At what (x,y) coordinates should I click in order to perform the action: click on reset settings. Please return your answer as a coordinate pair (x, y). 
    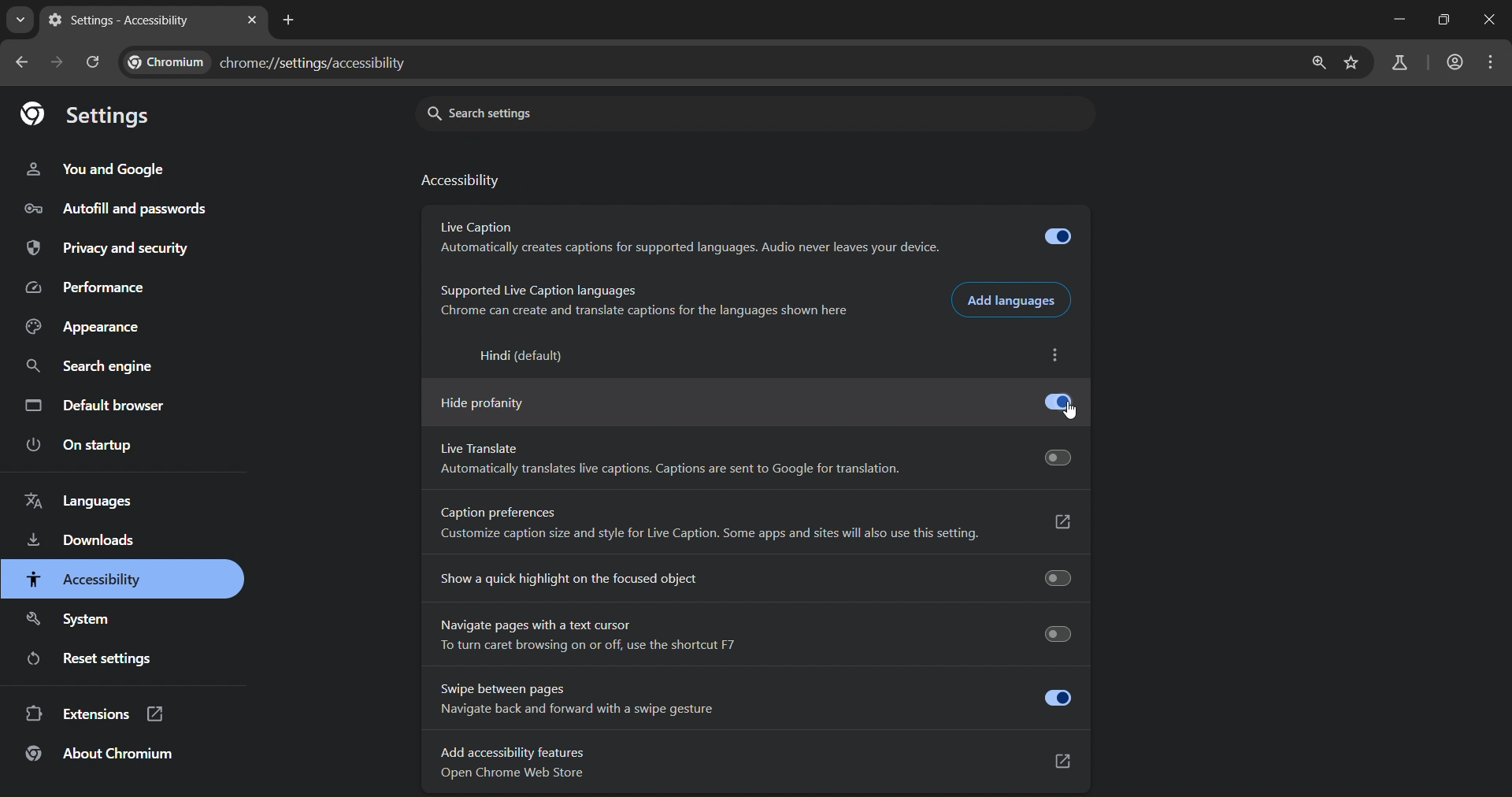
    Looking at the image, I should click on (85, 659).